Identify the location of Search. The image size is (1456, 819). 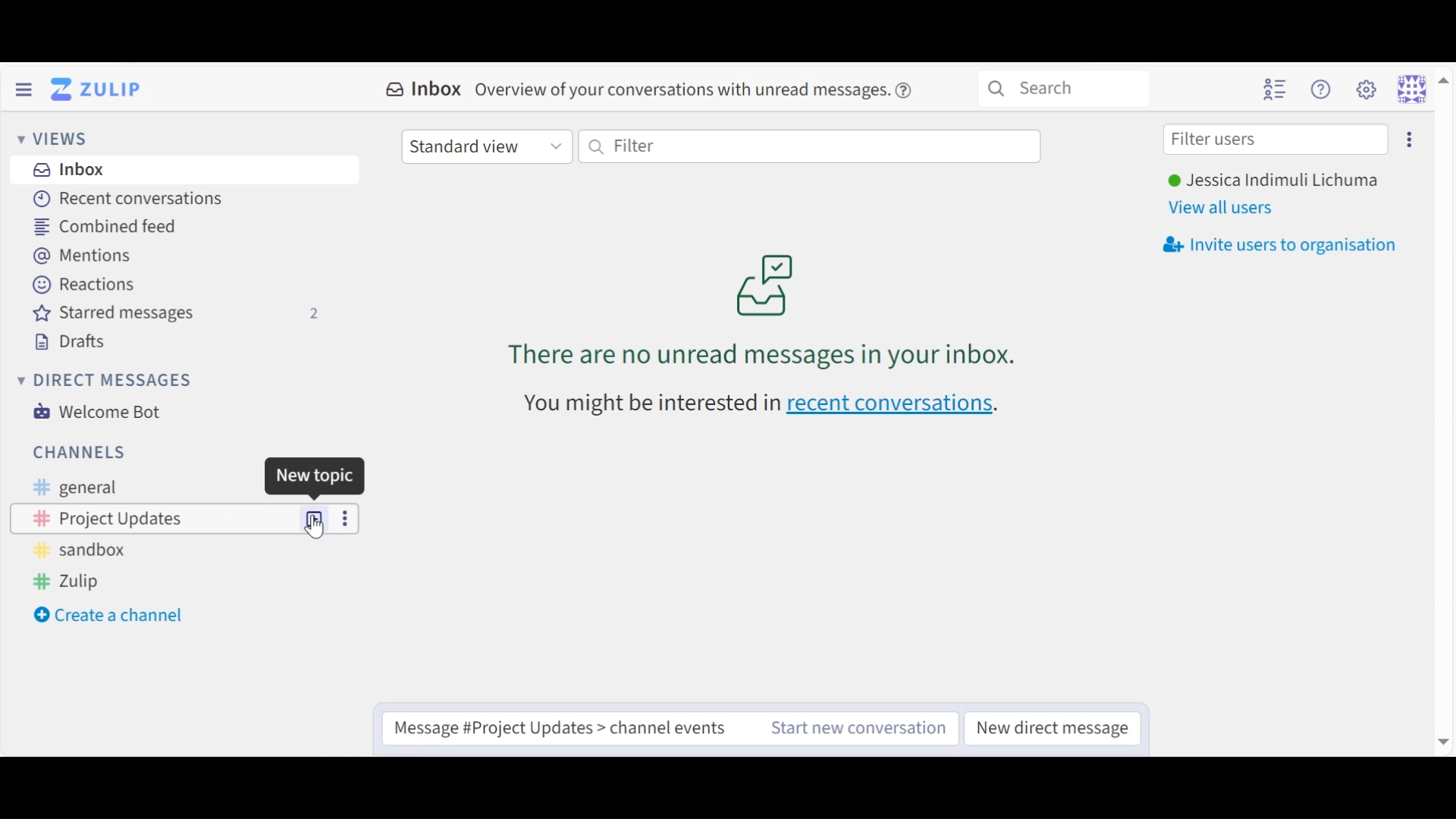
(1063, 86).